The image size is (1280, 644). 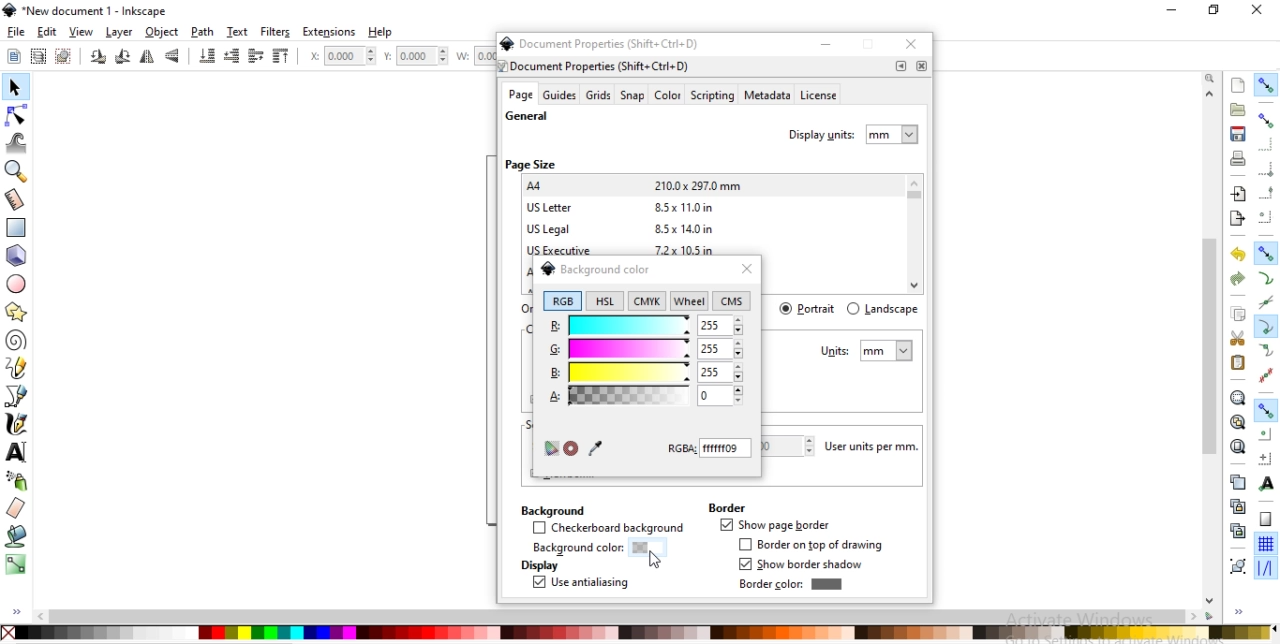 What do you see at coordinates (882, 309) in the screenshot?
I see `landscape` at bounding box center [882, 309].